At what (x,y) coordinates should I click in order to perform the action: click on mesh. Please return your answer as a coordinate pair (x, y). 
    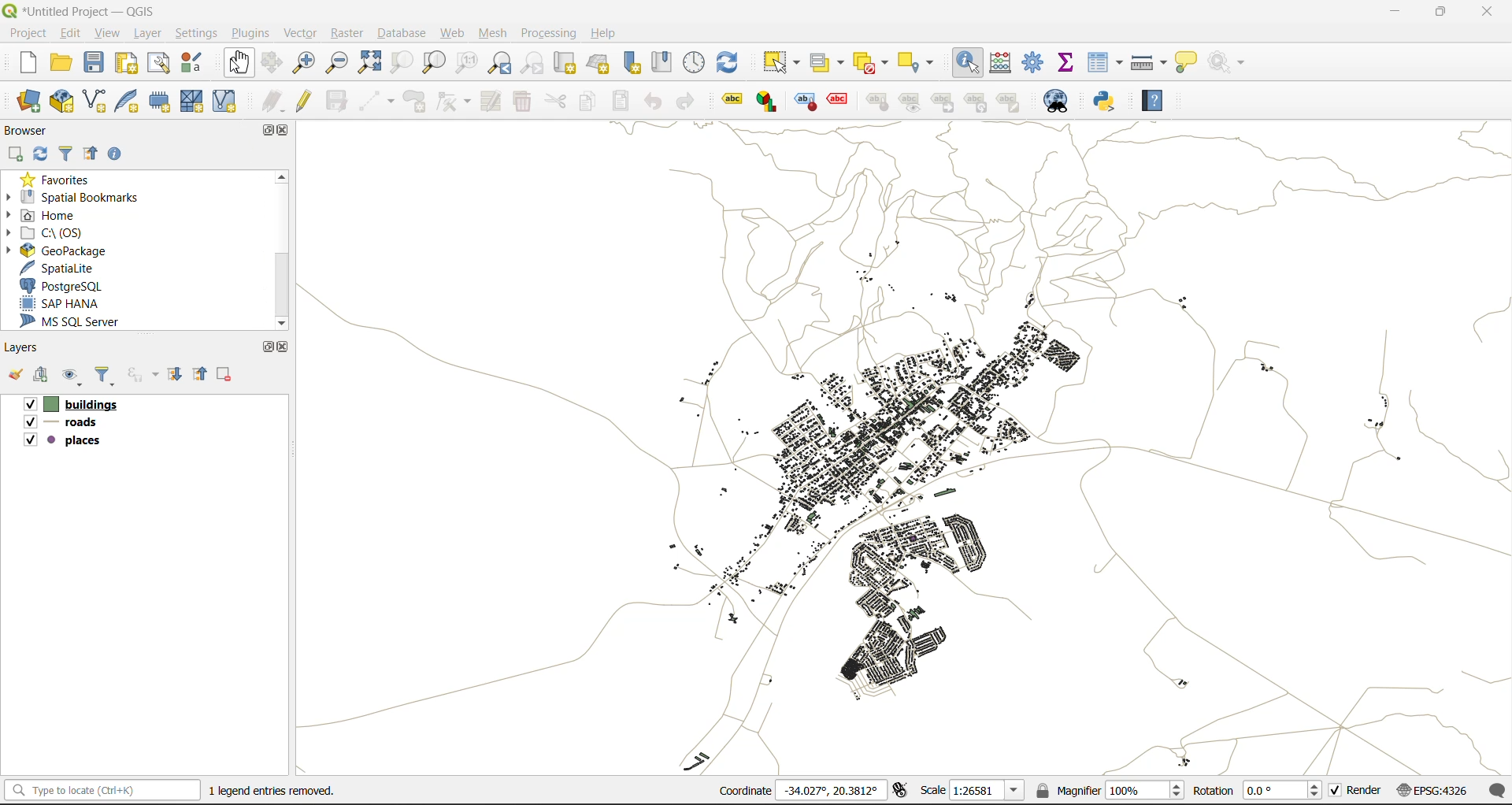
    Looking at the image, I should click on (496, 33).